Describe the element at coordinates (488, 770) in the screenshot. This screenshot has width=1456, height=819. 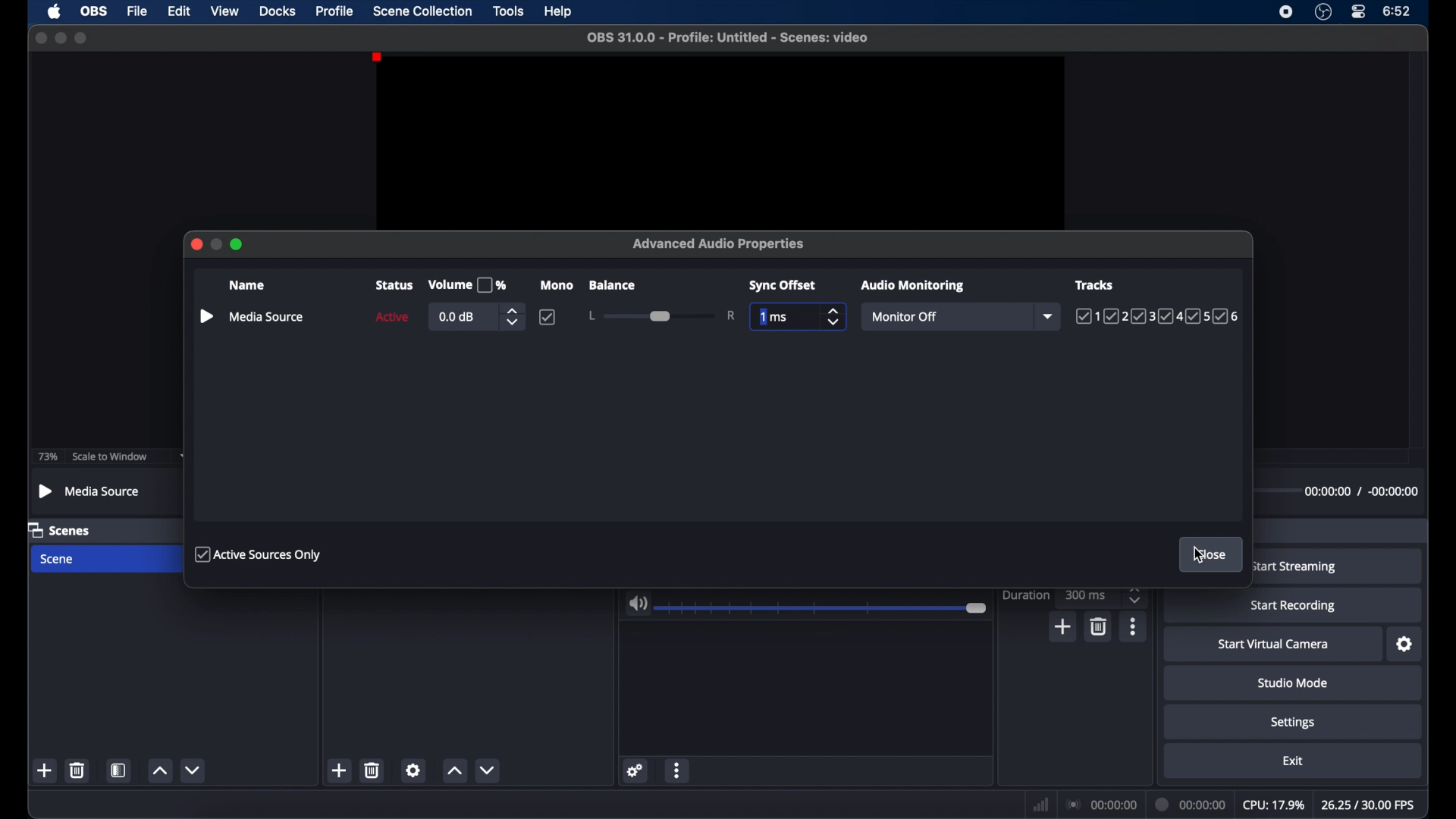
I see `decrement` at that location.